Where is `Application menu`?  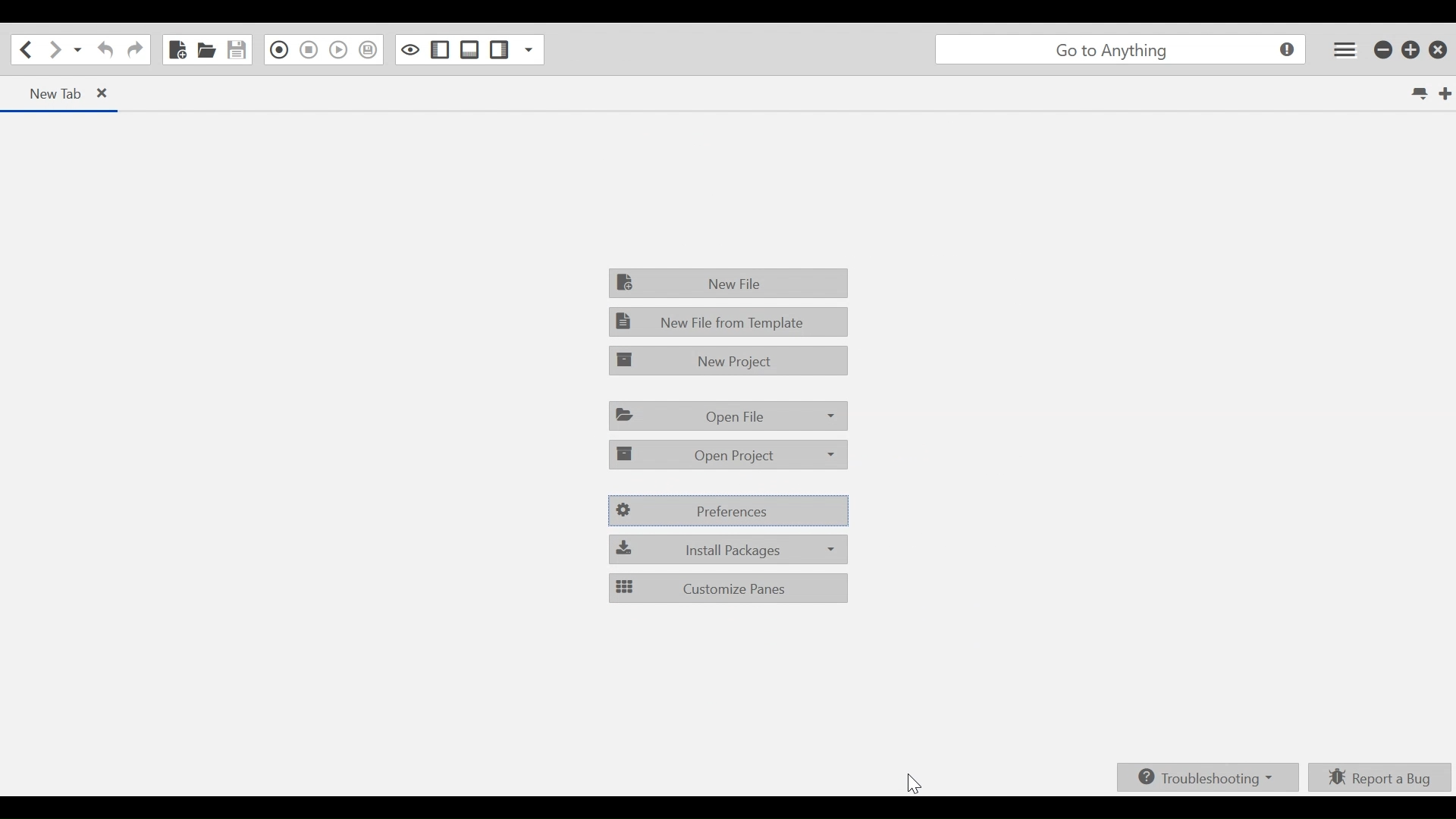
Application menu is located at coordinates (1341, 50).